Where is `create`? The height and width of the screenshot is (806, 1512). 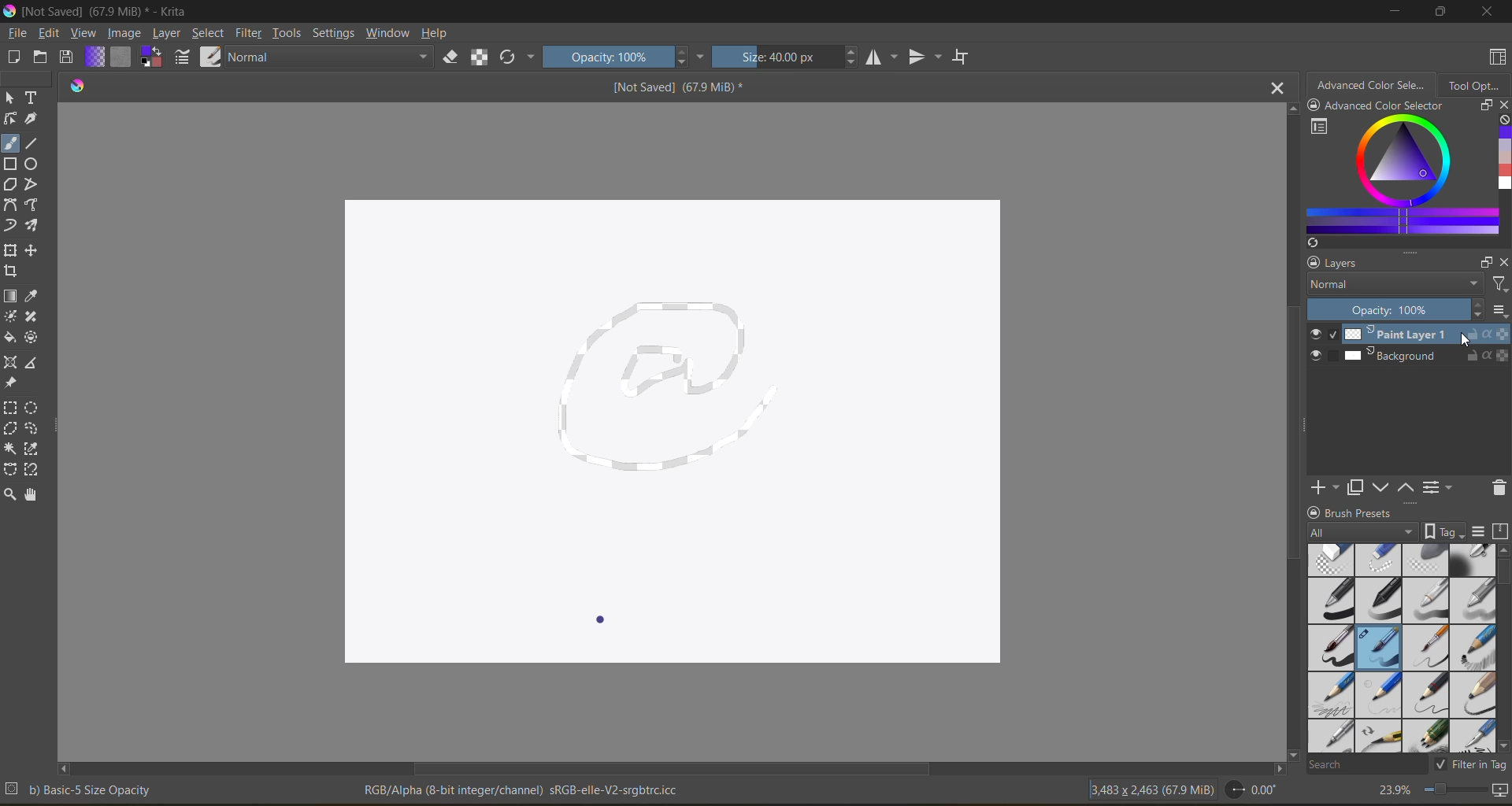
create is located at coordinates (13, 57).